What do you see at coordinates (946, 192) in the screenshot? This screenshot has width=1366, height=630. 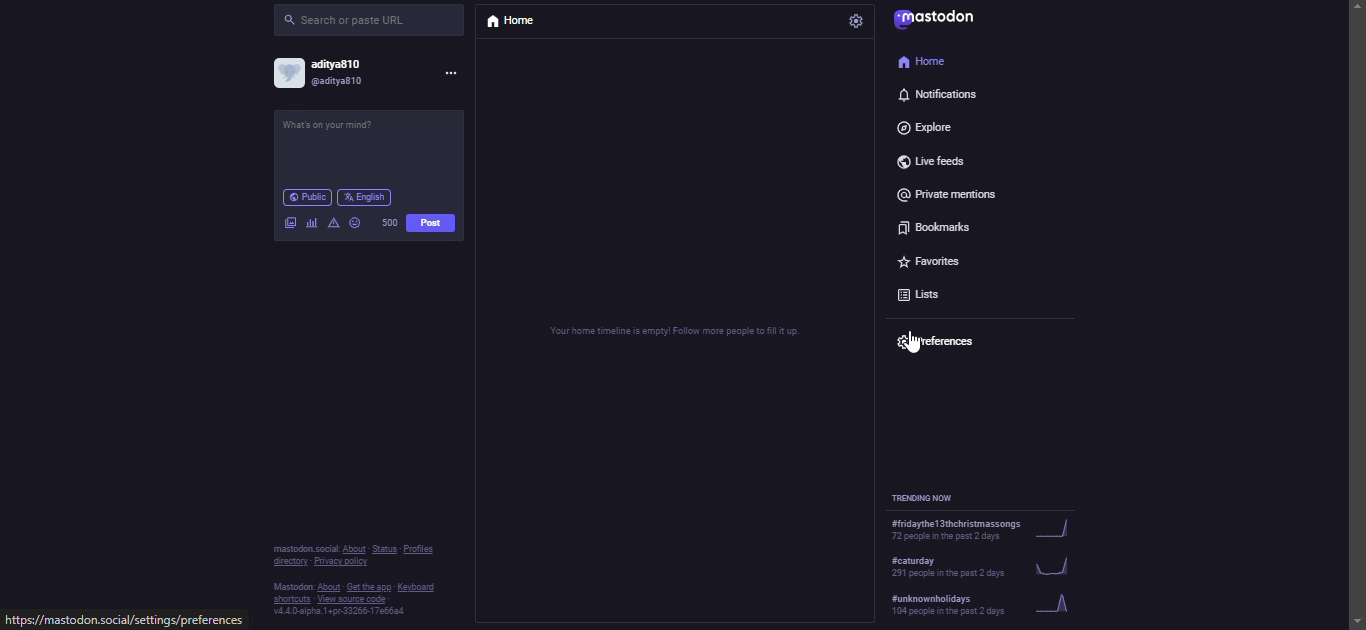 I see `private mentions` at bounding box center [946, 192].